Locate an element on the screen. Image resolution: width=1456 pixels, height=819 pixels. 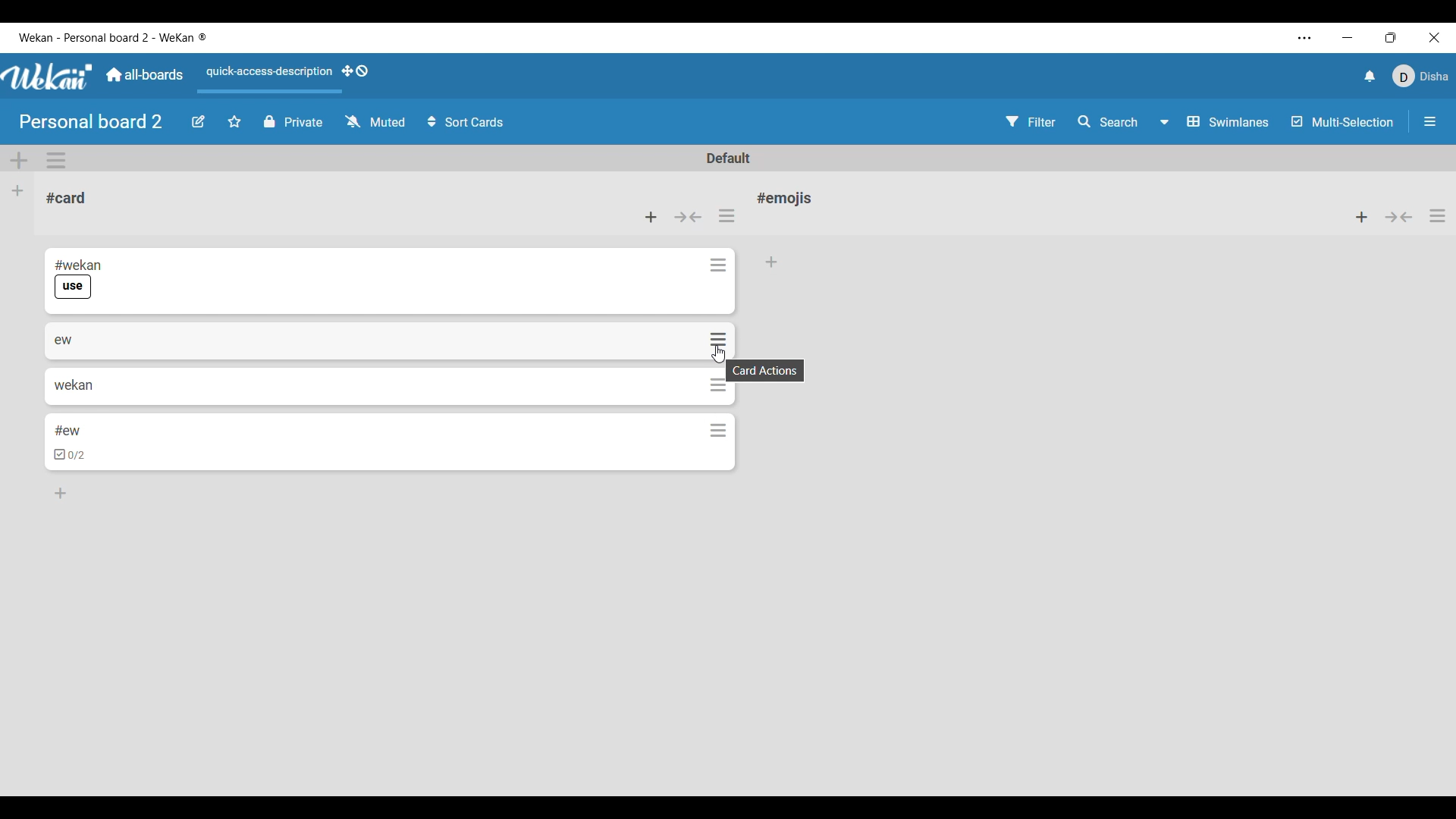
Board name is located at coordinates (90, 121).